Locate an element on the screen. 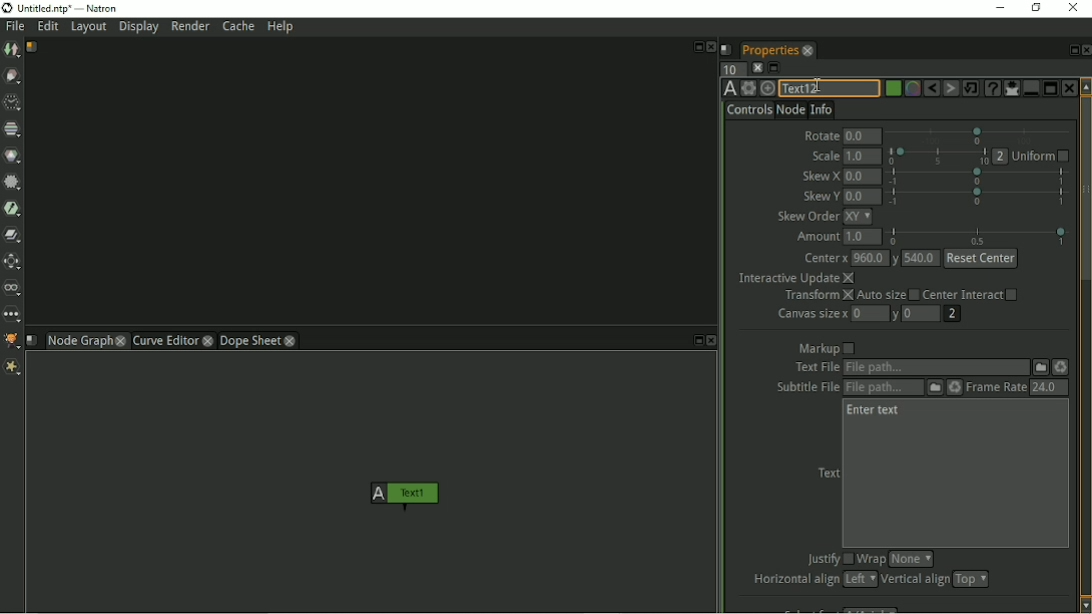 The image size is (1092, 614). file path is located at coordinates (936, 368).